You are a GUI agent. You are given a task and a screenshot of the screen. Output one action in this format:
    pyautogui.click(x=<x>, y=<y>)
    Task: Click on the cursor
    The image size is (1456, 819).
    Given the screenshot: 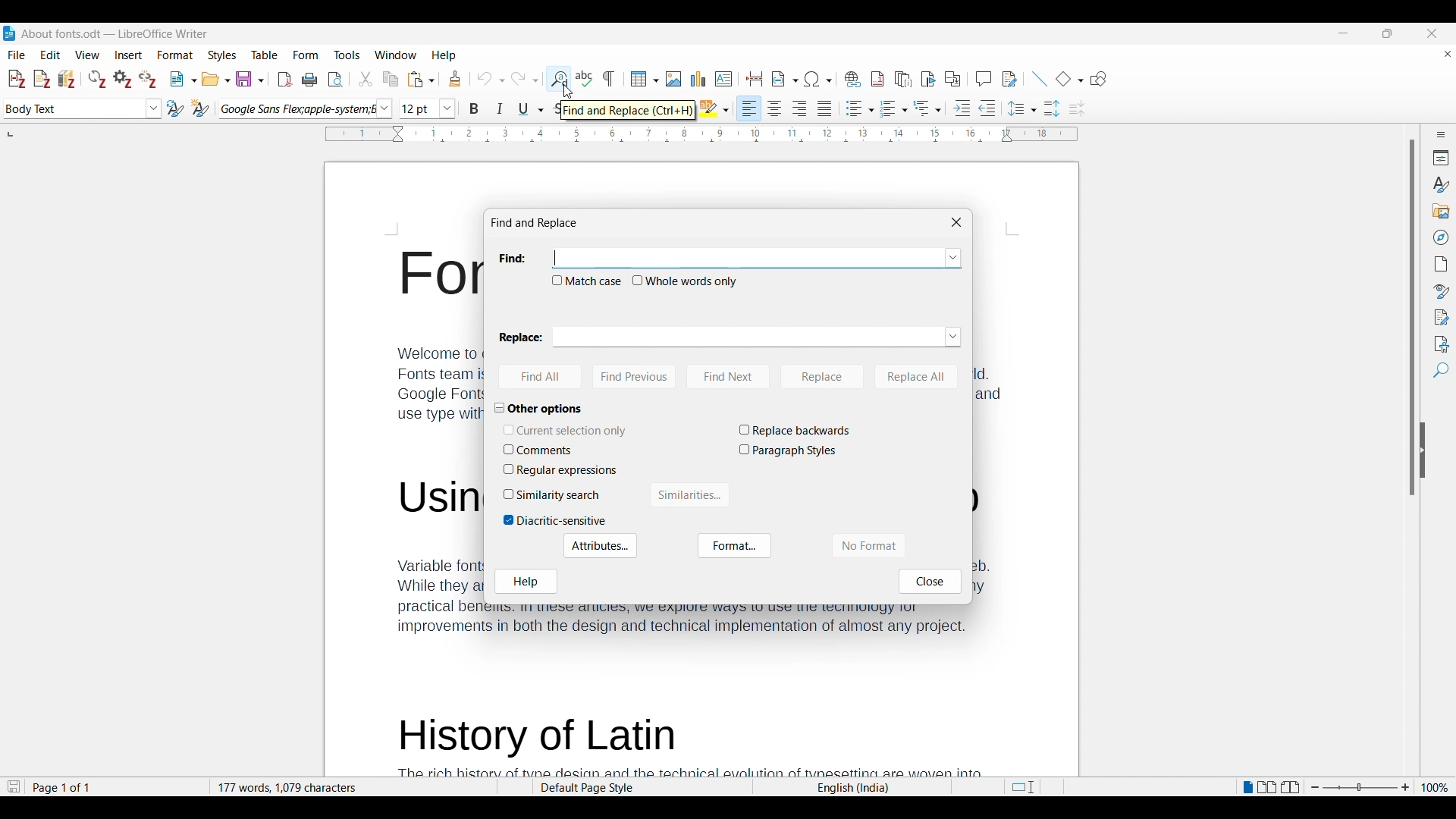 What is the action you would take?
    pyautogui.click(x=567, y=89)
    